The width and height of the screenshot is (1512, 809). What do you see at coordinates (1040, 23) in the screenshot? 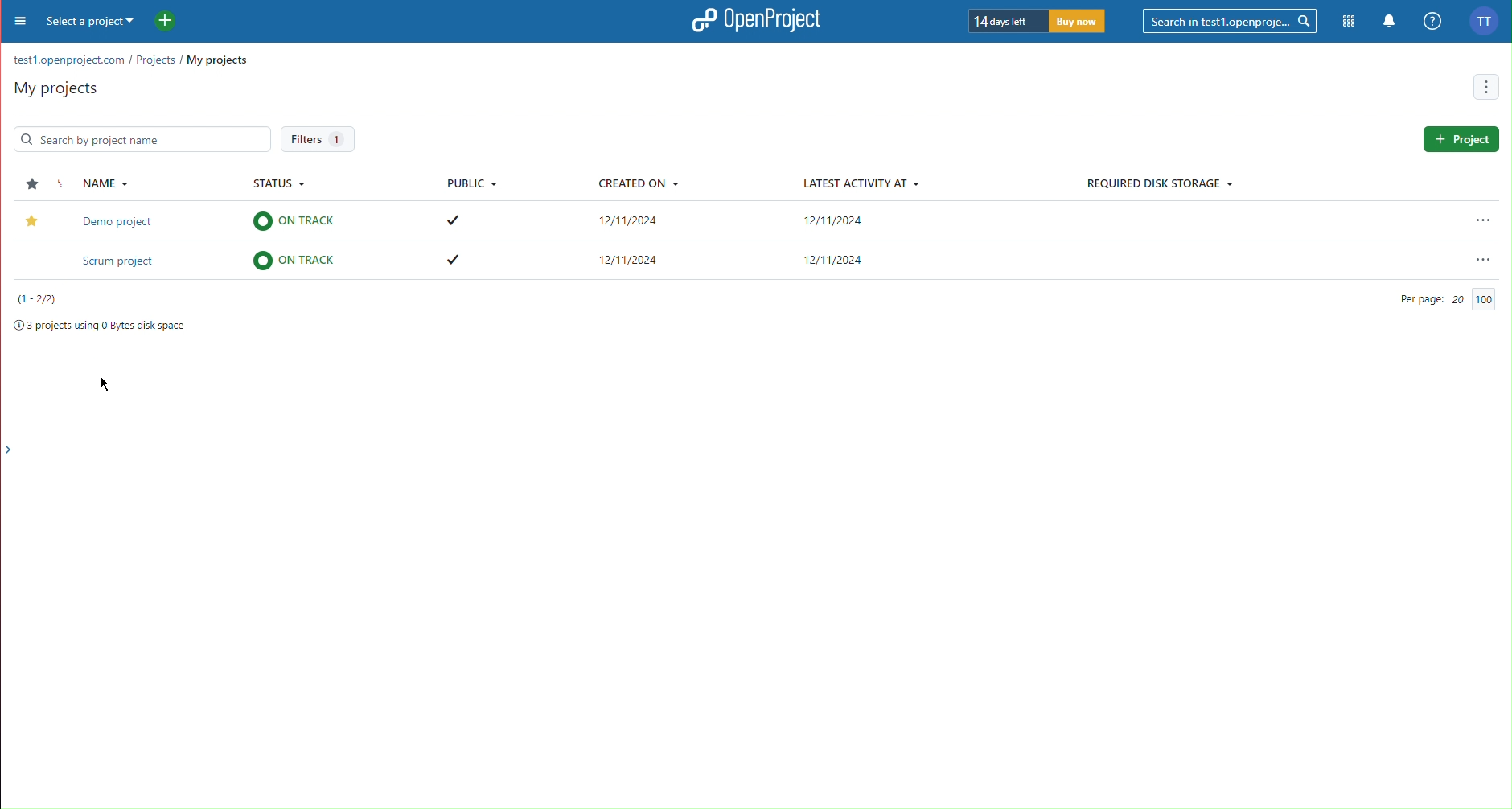
I see `Trial Timer` at bounding box center [1040, 23].